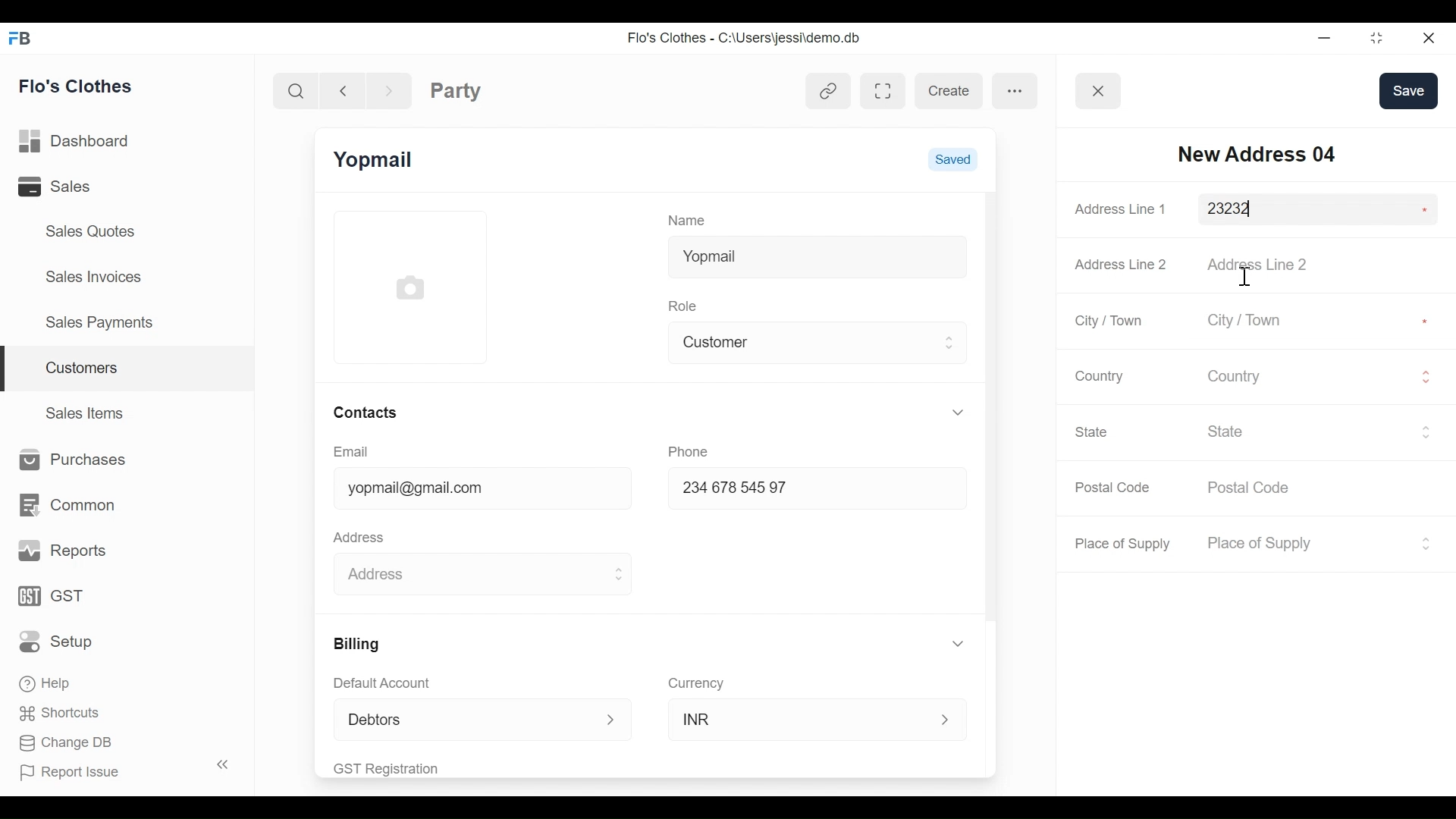  What do you see at coordinates (67, 745) in the screenshot?
I see `Change DB` at bounding box center [67, 745].